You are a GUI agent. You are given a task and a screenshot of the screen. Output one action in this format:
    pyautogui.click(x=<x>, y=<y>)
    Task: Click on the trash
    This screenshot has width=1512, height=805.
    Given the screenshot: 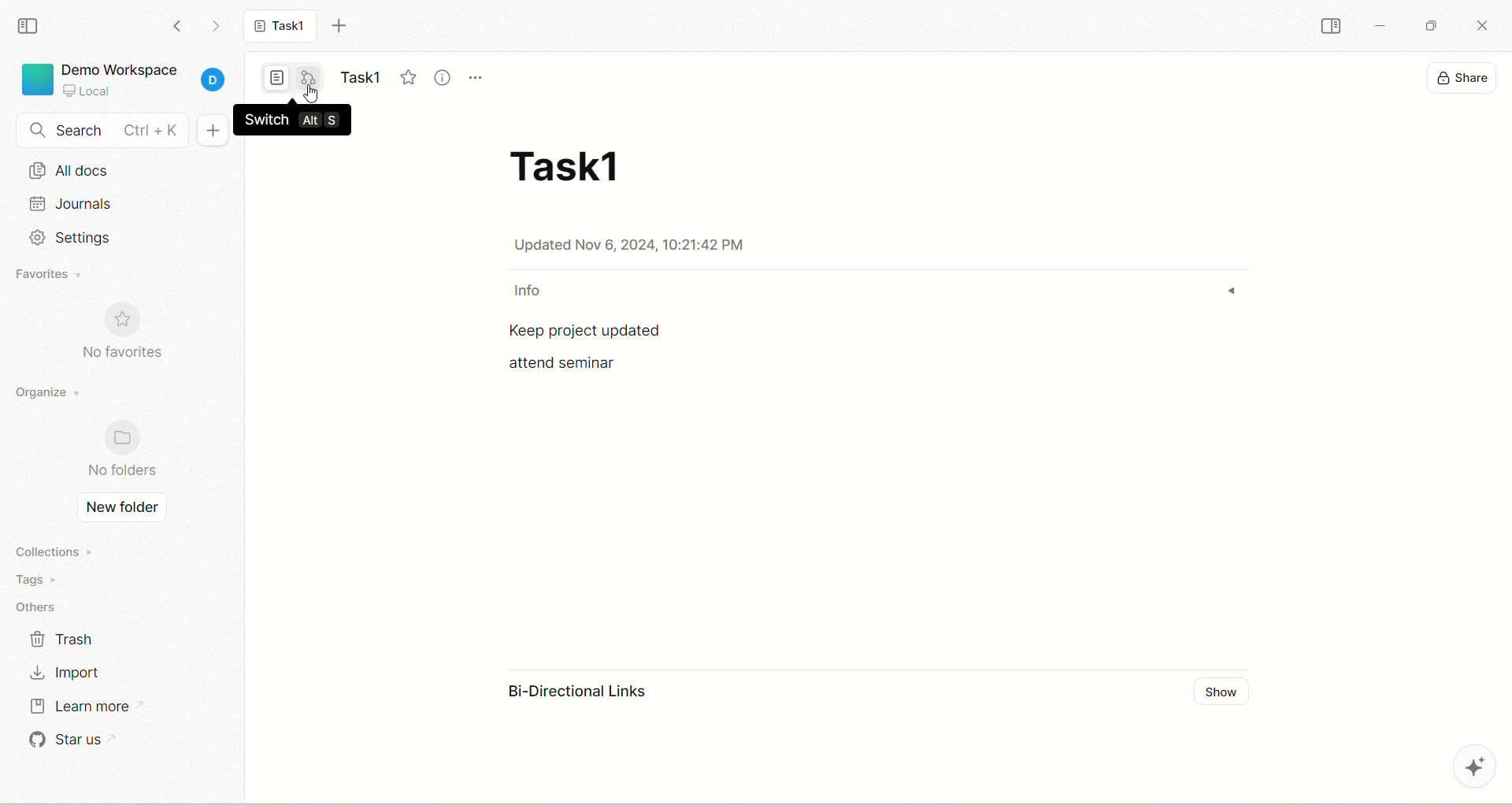 What is the action you would take?
    pyautogui.click(x=64, y=637)
    